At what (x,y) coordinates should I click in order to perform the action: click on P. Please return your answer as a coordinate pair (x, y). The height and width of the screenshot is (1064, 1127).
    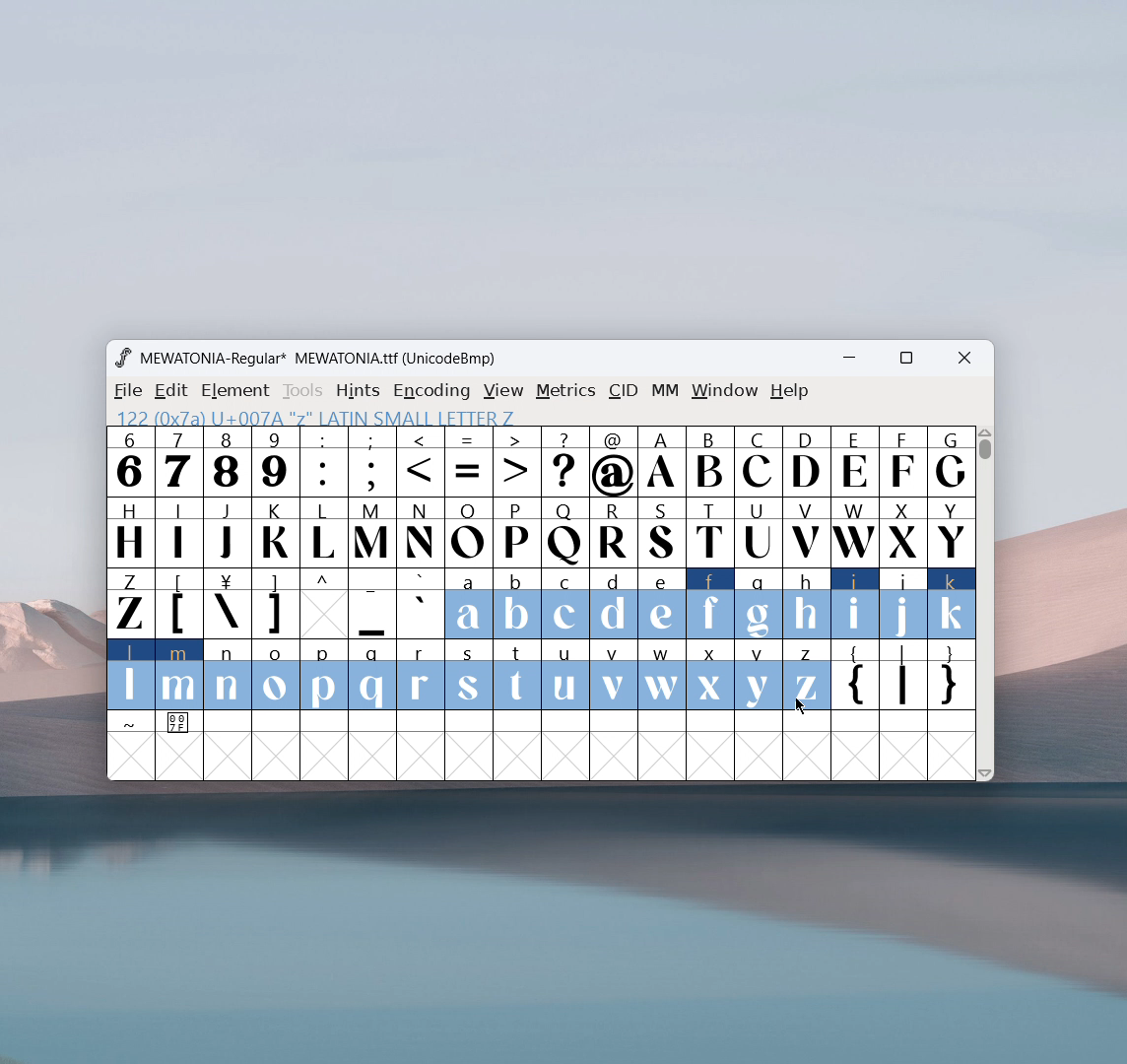
    Looking at the image, I should click on (516, 534).